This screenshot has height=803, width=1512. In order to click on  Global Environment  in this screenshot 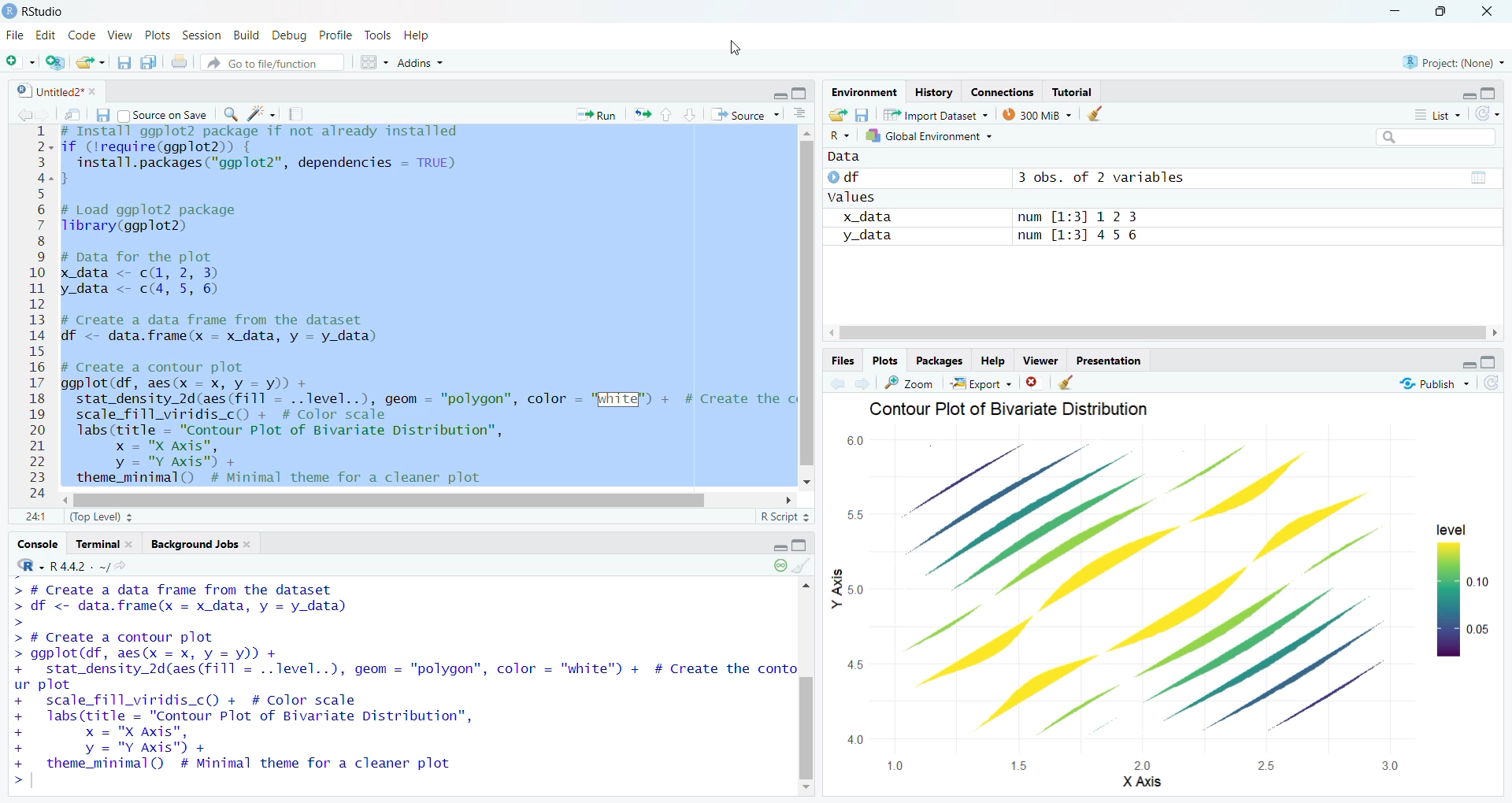, I will do `click(935, 137)`.